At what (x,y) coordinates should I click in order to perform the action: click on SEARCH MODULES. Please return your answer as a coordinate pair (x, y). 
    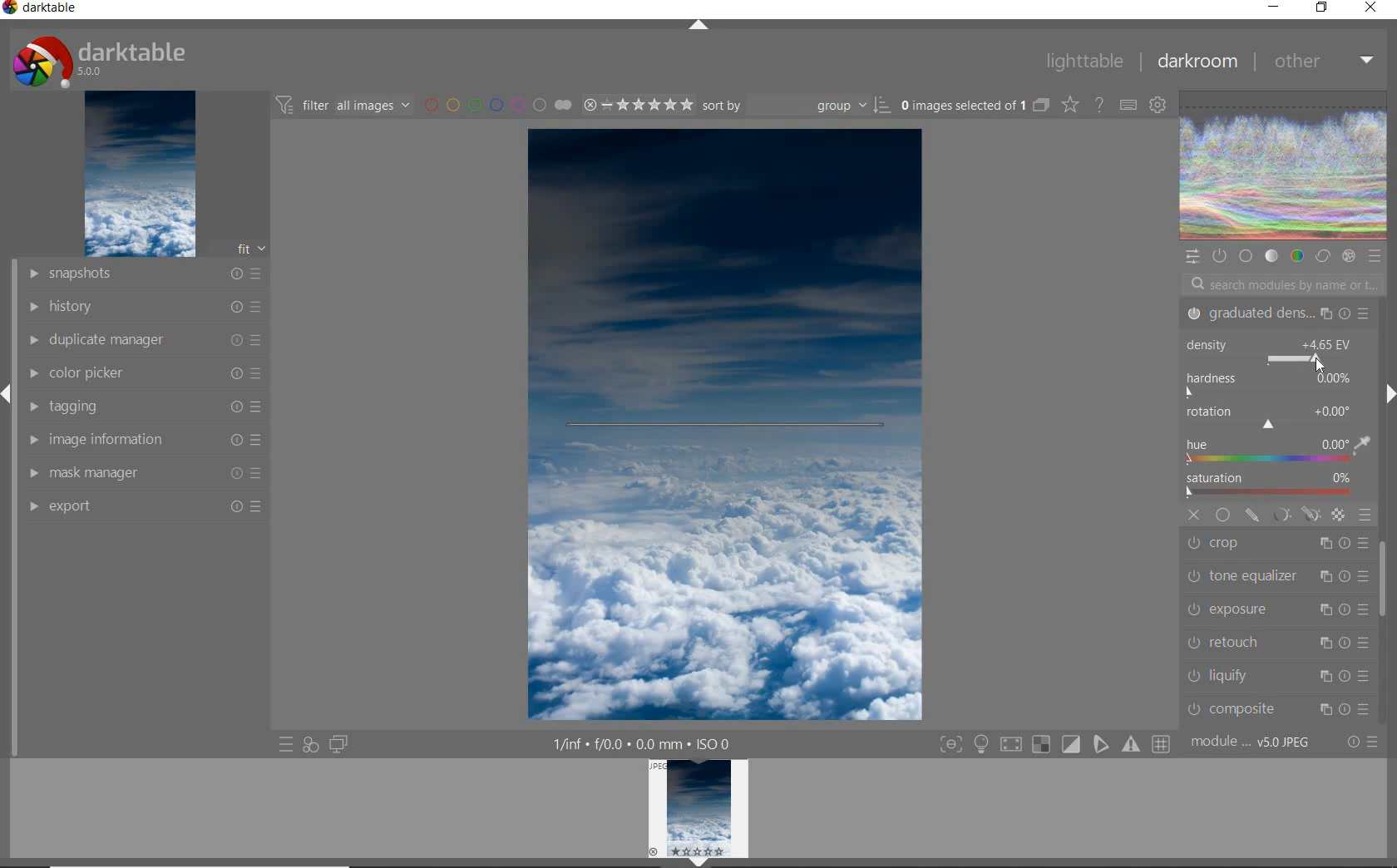
    Looking at the image, I should click on (1283, 284).